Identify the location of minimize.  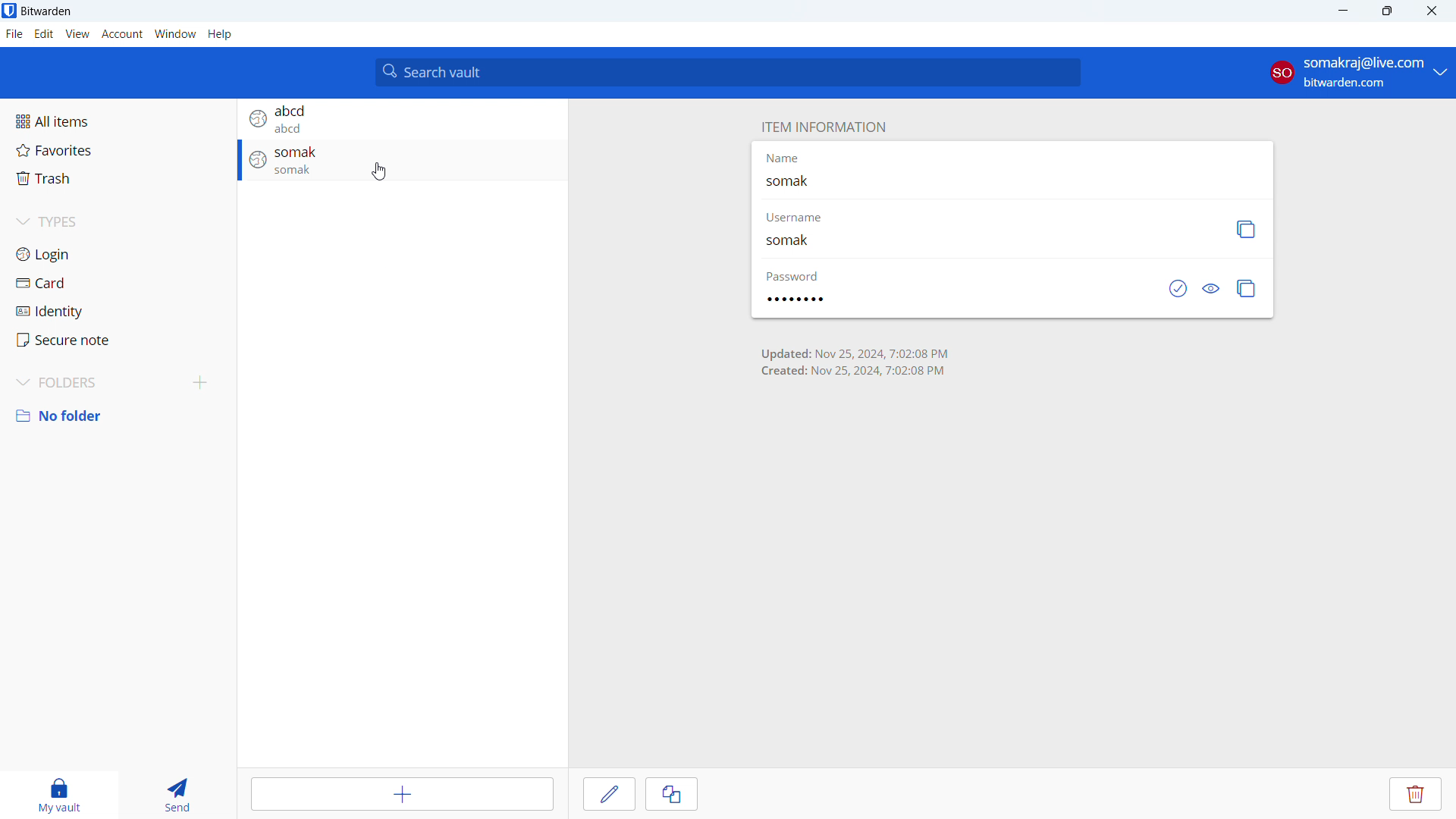
(1341, 11).